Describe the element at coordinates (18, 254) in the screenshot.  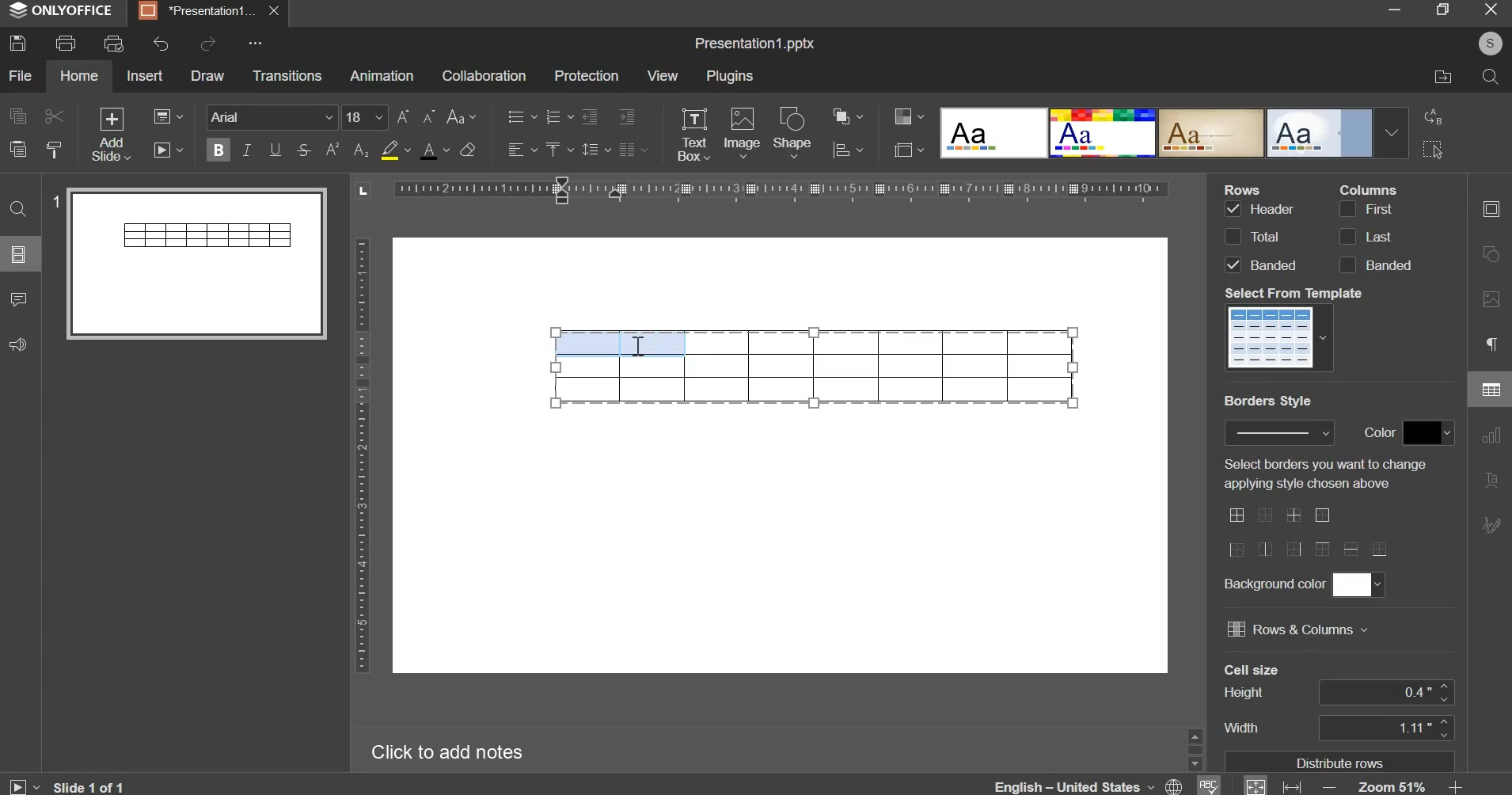
I see `slide menu` at that location.